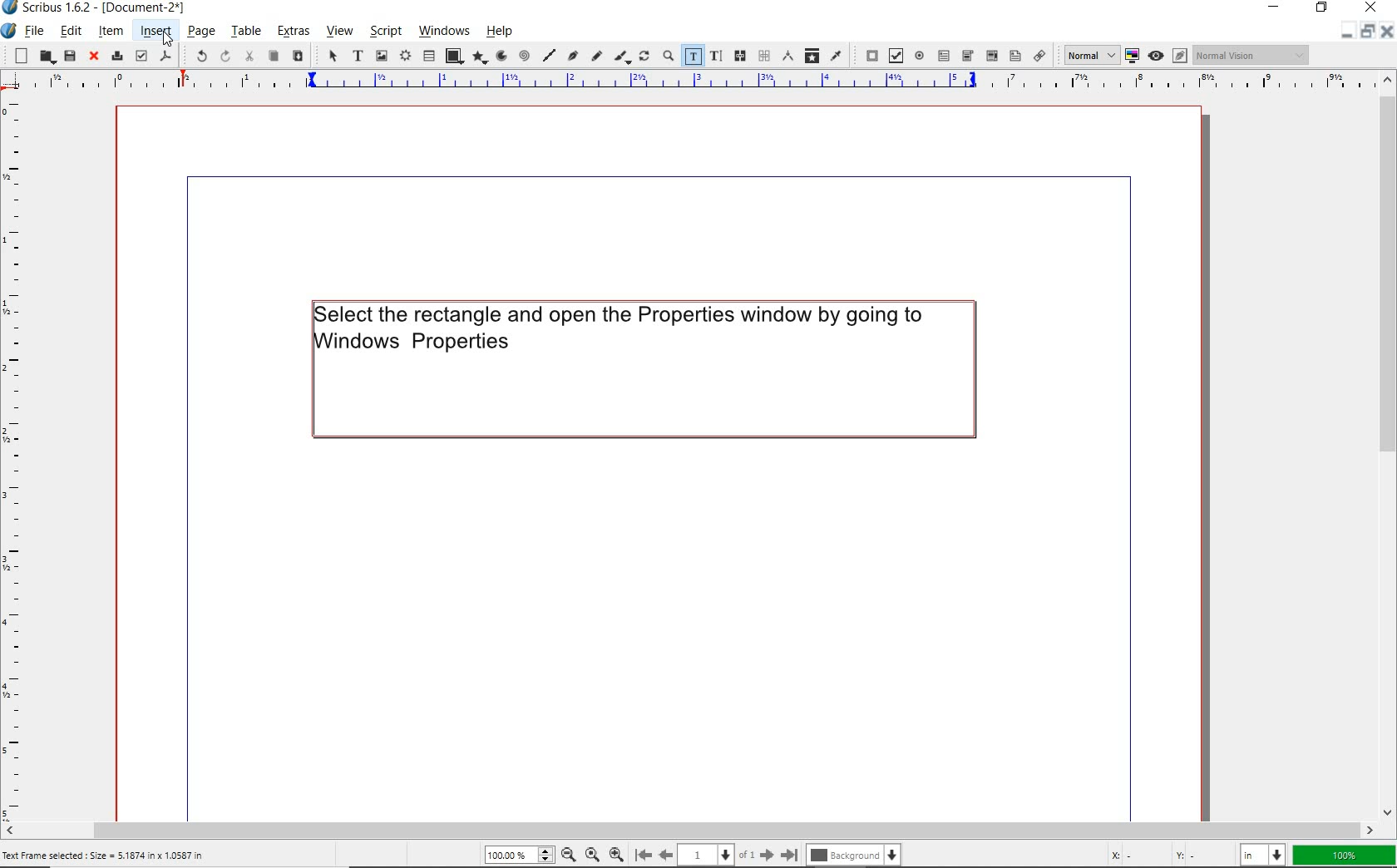  Describe the element at coordinates (968, 55) in the screenshot. I see `pdf combo box` at that location.